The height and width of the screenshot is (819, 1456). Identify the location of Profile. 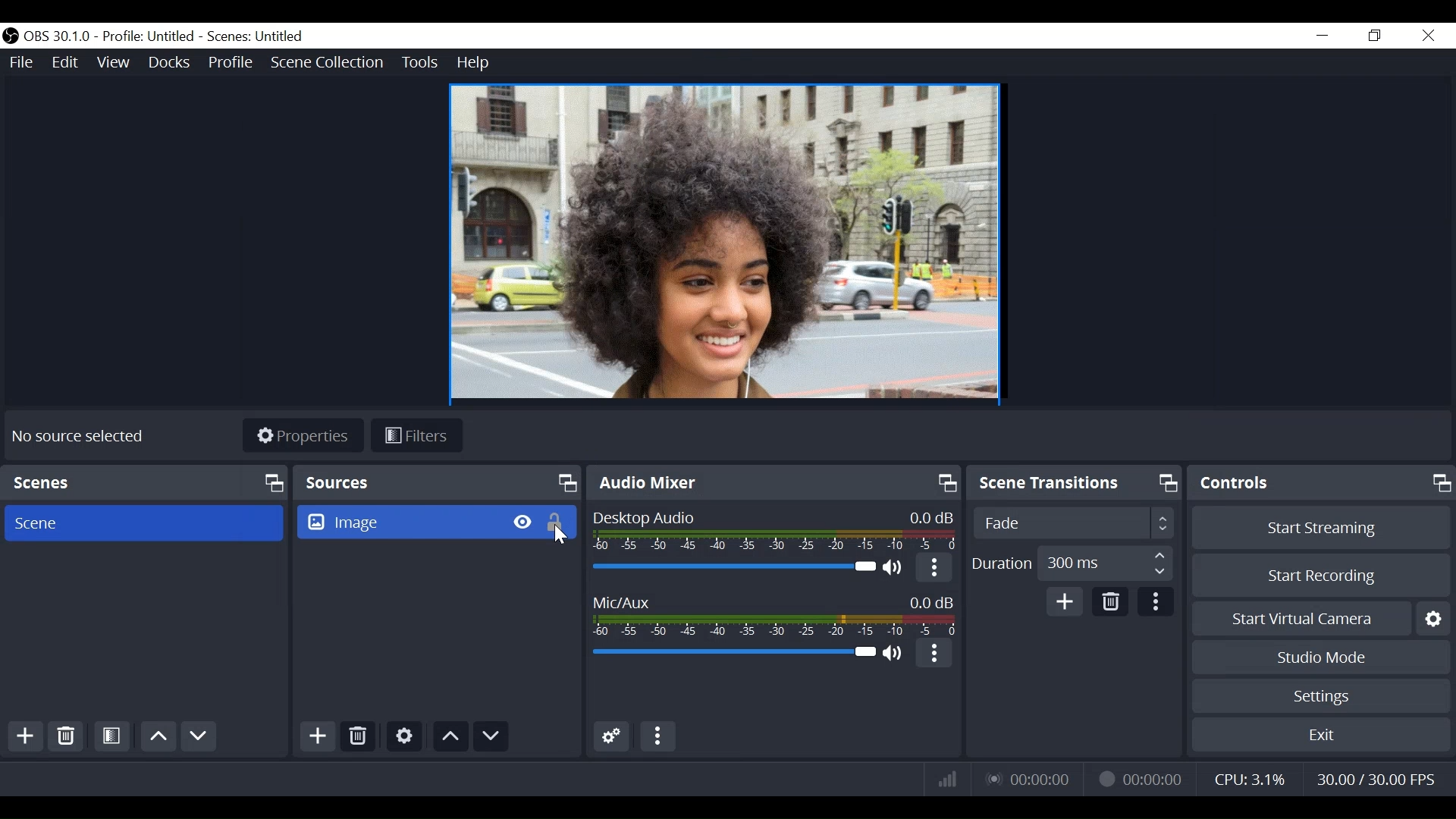
(231, 61).